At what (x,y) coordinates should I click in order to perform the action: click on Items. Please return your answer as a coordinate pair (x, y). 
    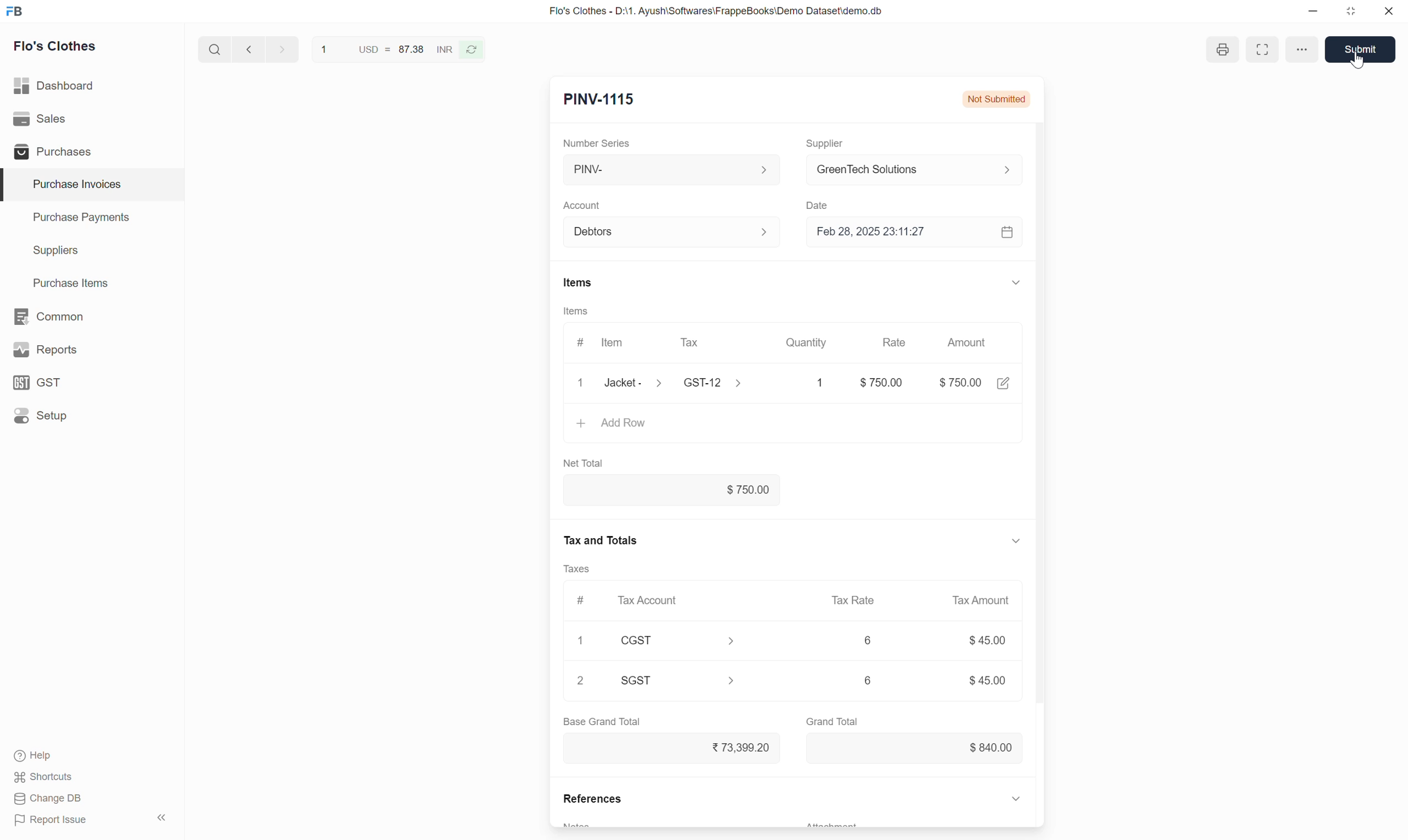
    Looking at the image, I should click on (576, 311).